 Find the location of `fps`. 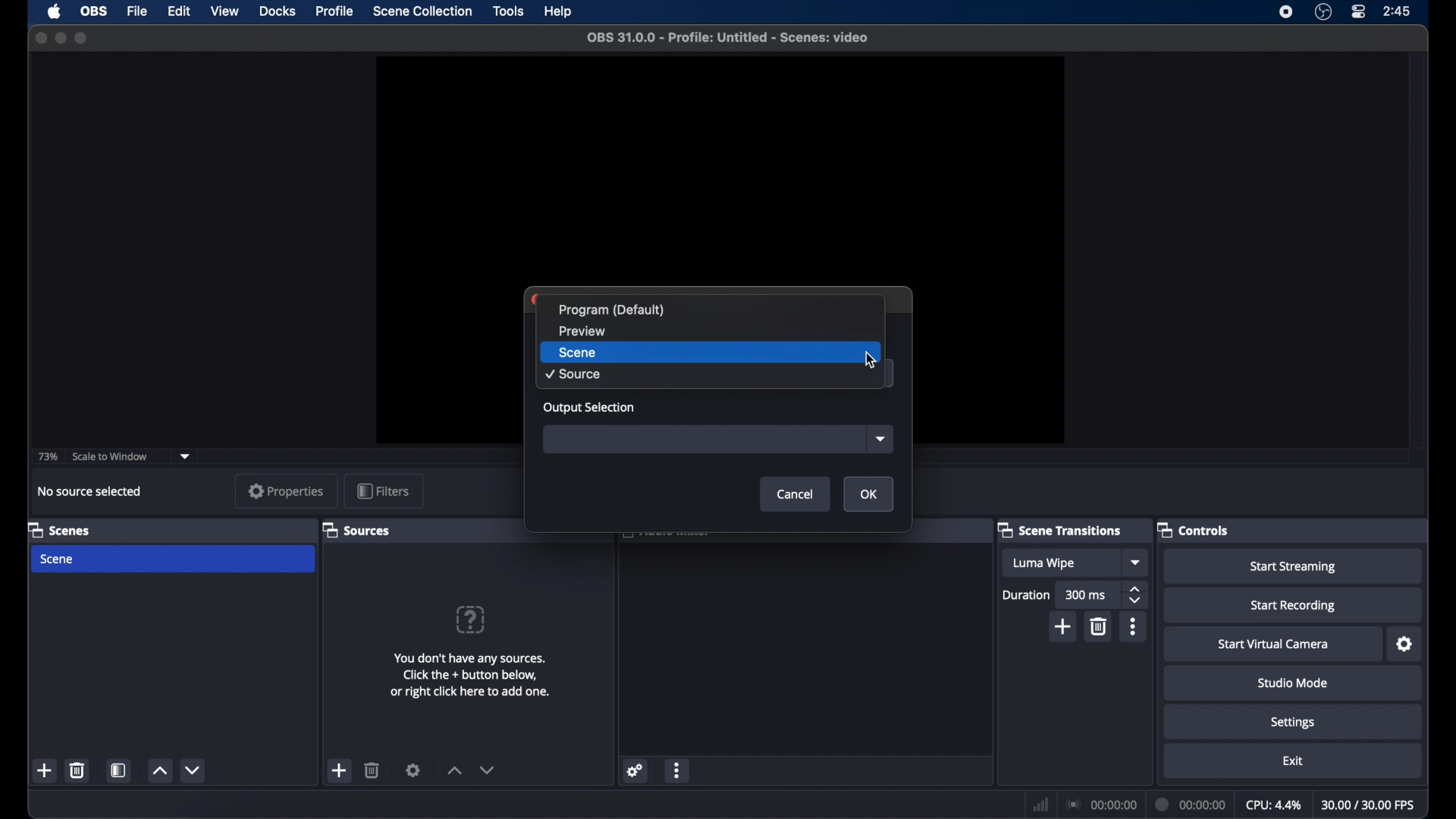

fps is located at coordinates (1369, 805).